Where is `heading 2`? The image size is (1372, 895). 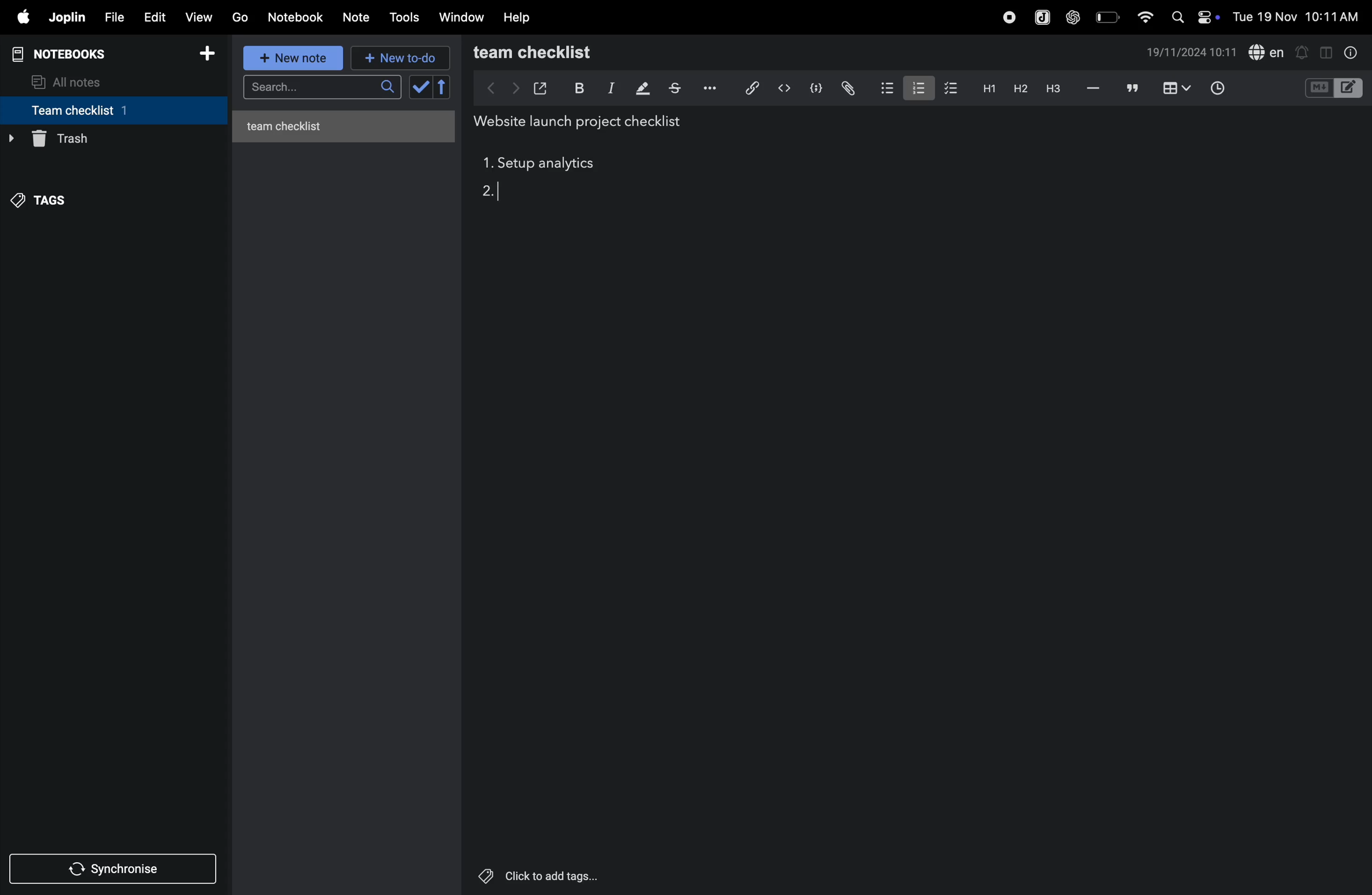 heading 2 is located at coordinates (986, 88).